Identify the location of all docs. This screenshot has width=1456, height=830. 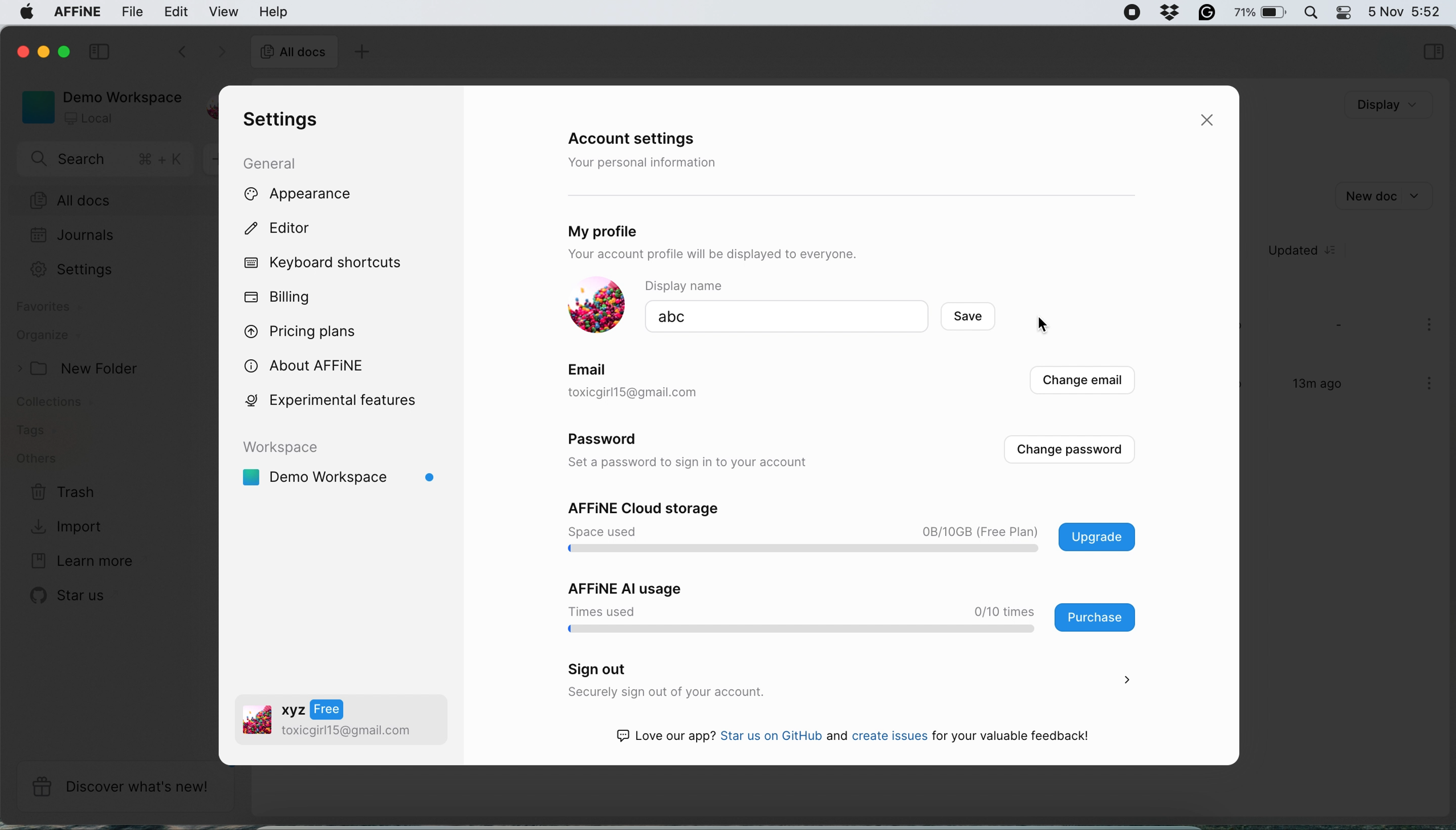
(294, 54).